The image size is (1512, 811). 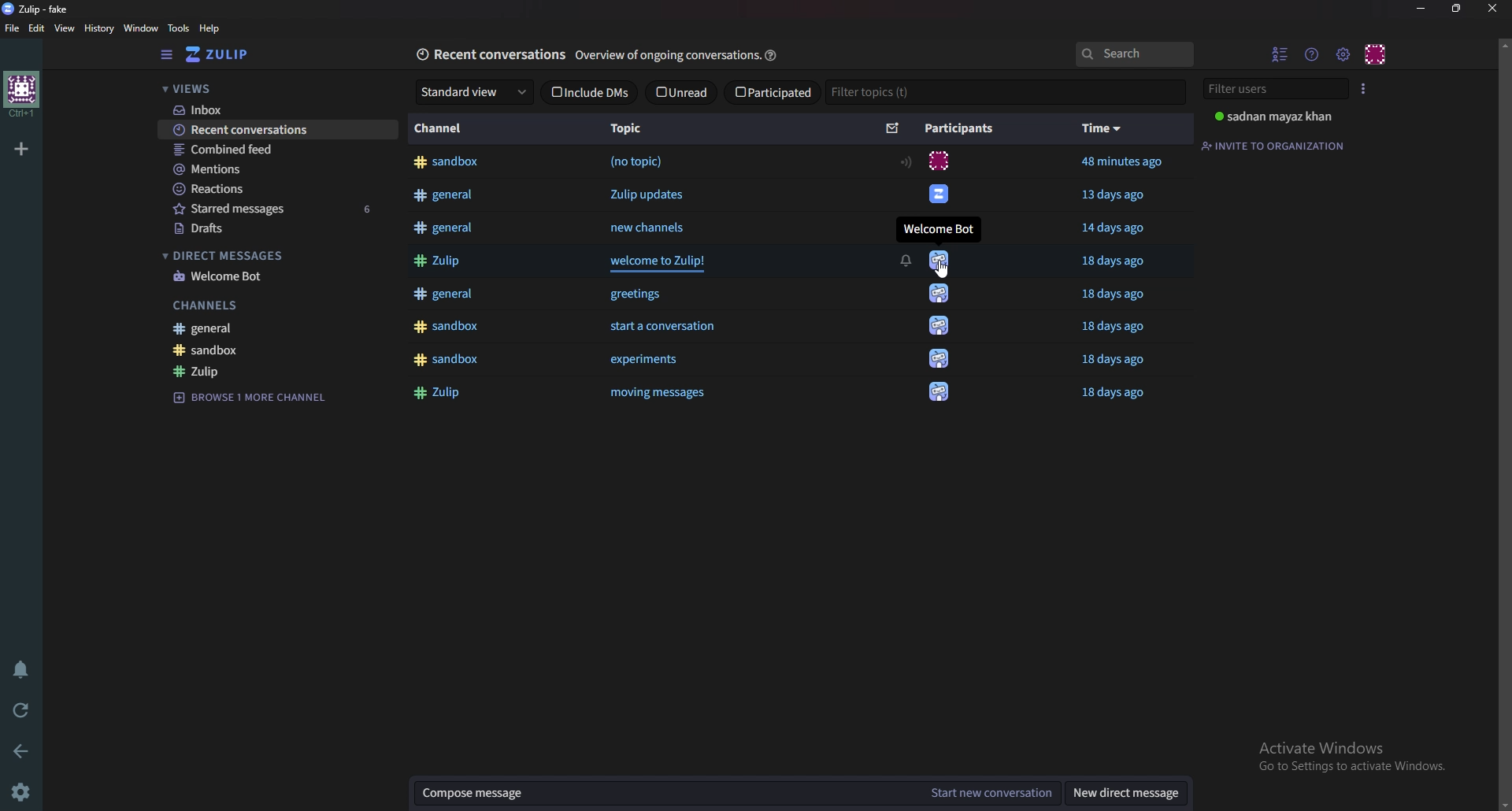 I want to click on zulip-fake, so click(x=39, y=9).